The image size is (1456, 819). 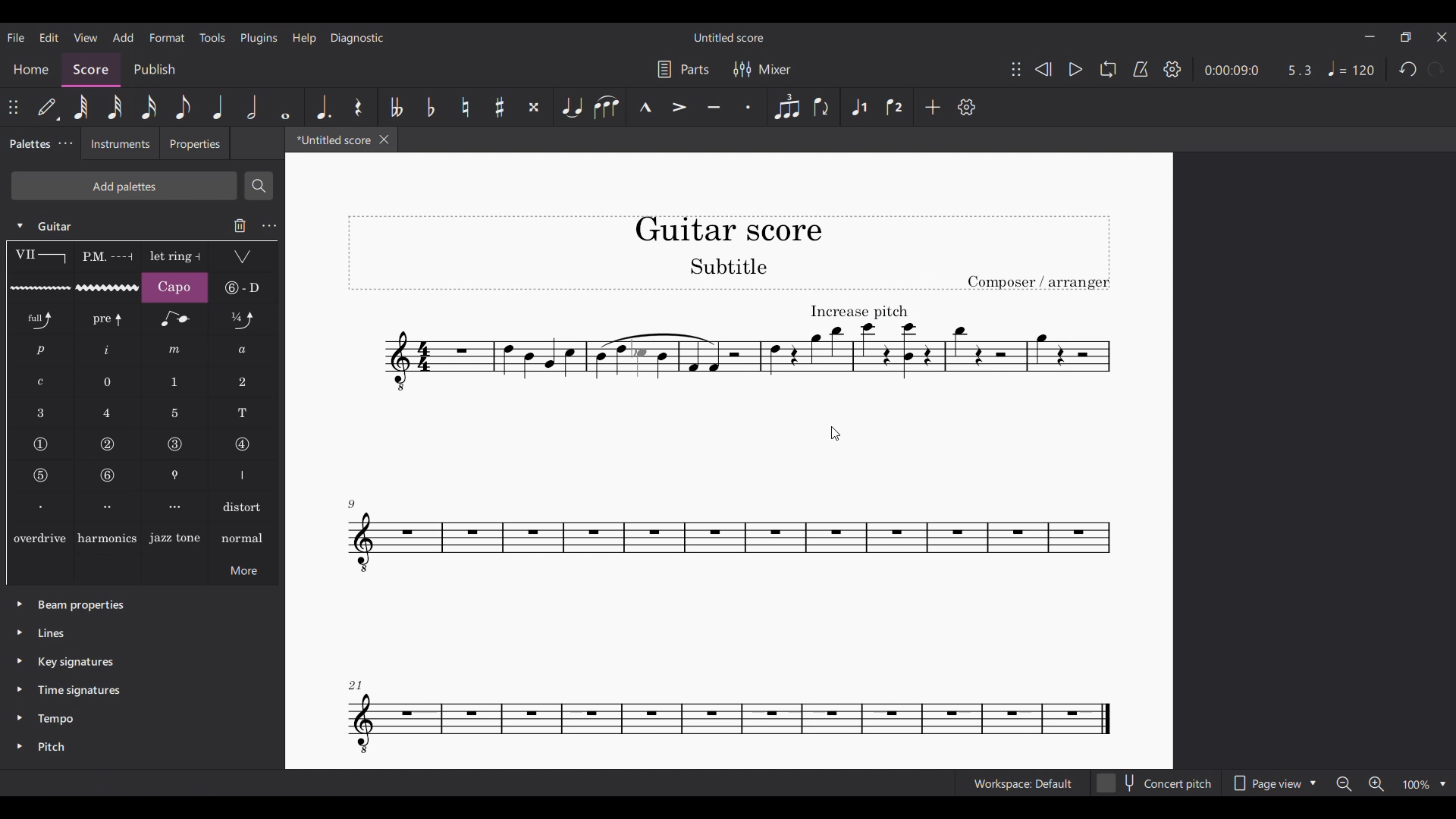 What do you see at coordinates (683, 69) in the screenshot?
I see `Parts settings` at bounding box center [683, 69].